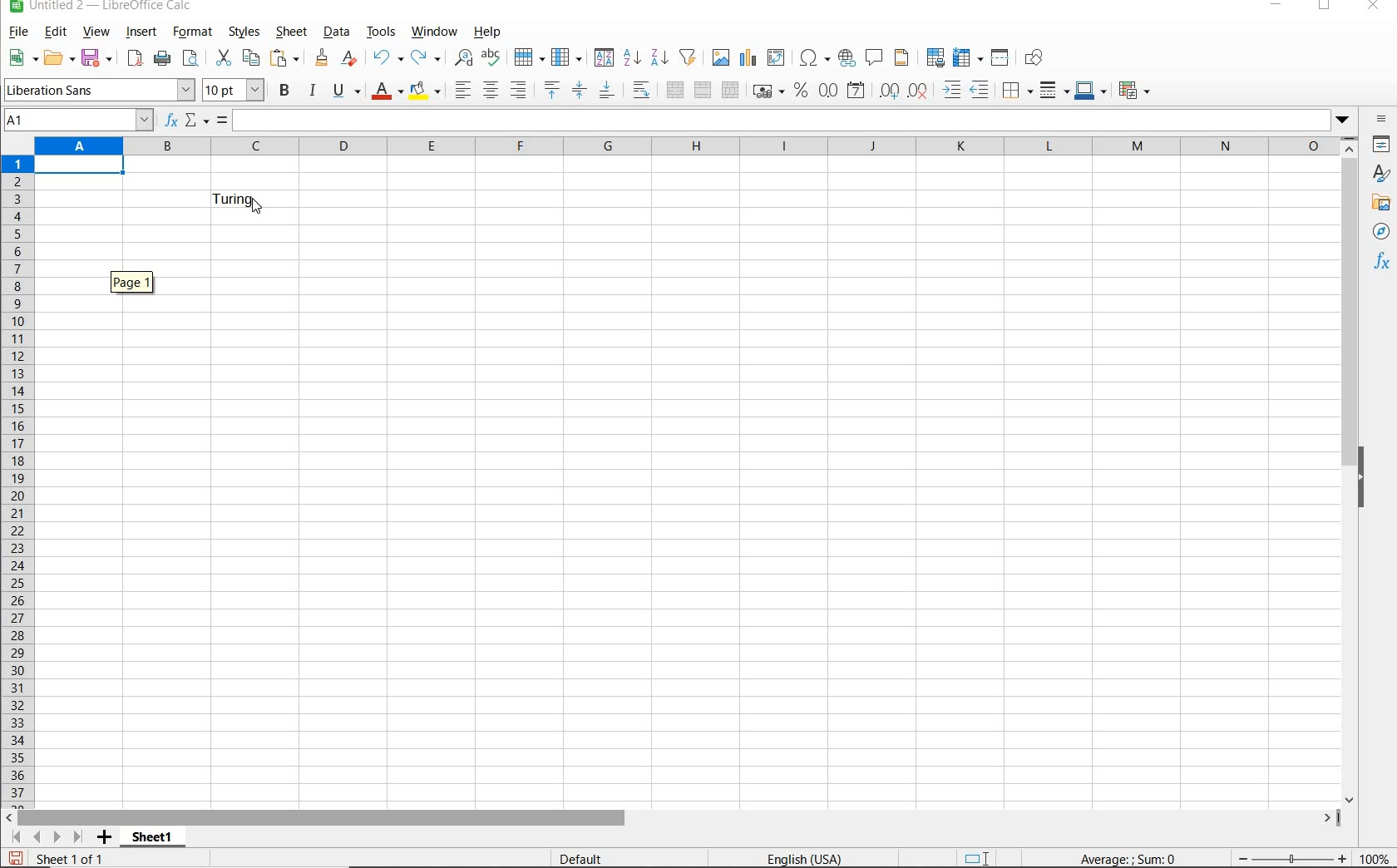  What do you see at coordinates (322, 60) in the screenshot?
I see `CLONE FORMATTING` at bounding box center [322, 60].